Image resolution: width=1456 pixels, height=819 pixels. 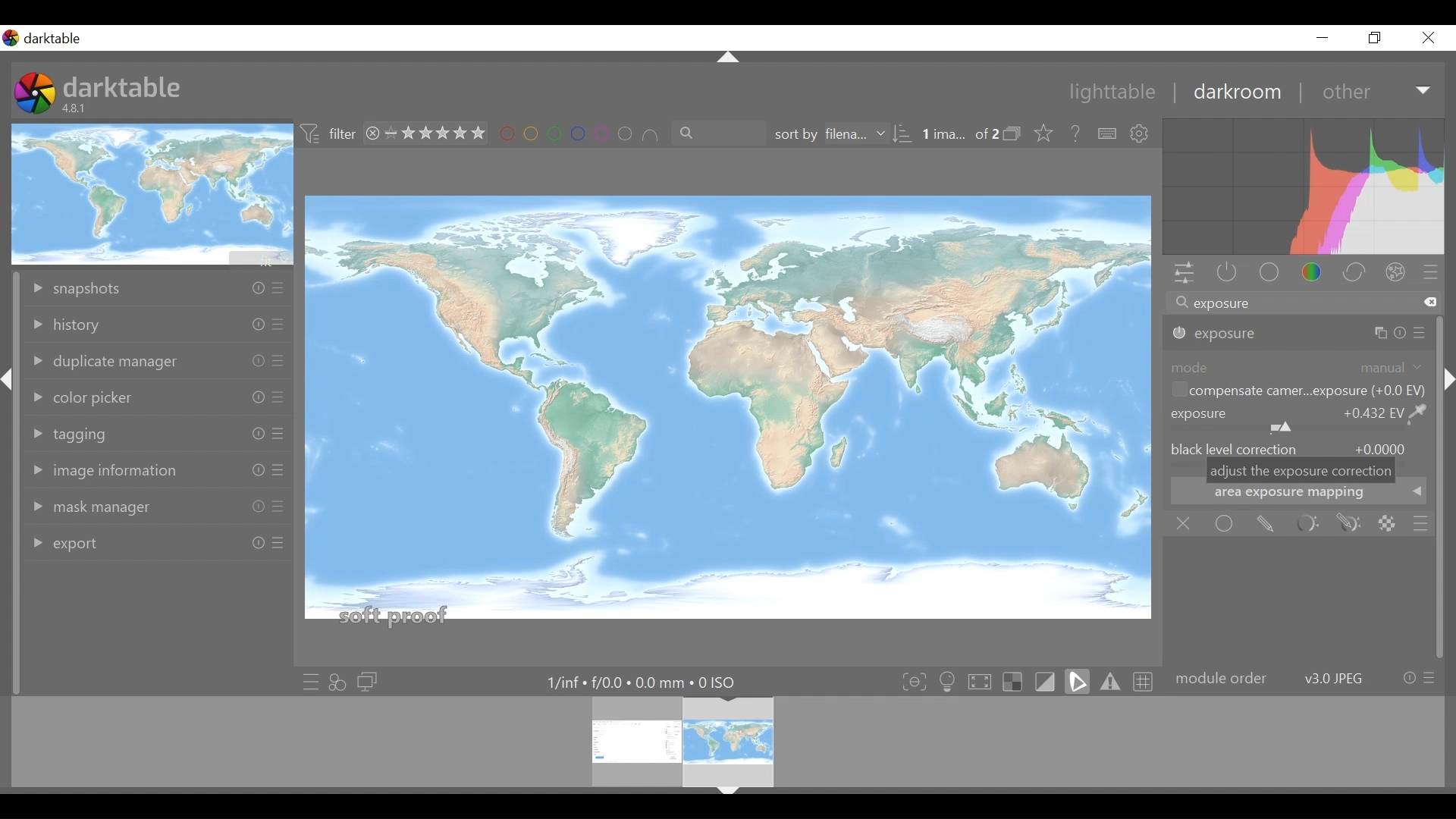 I want to click on , so click(x=278, y=472).